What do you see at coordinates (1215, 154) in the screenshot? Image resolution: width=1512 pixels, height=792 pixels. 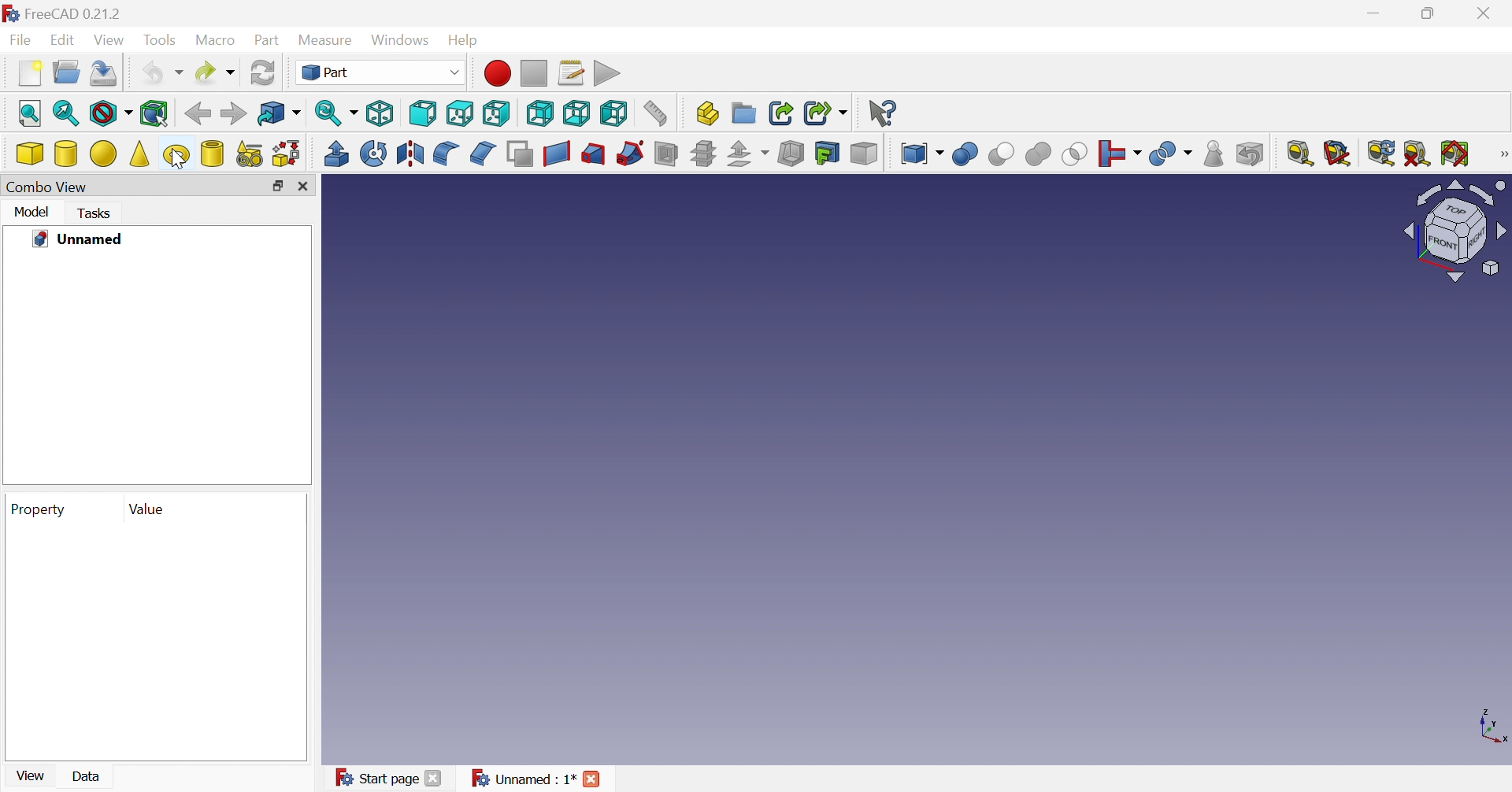 I see `` at bounding box center [1215, 154].